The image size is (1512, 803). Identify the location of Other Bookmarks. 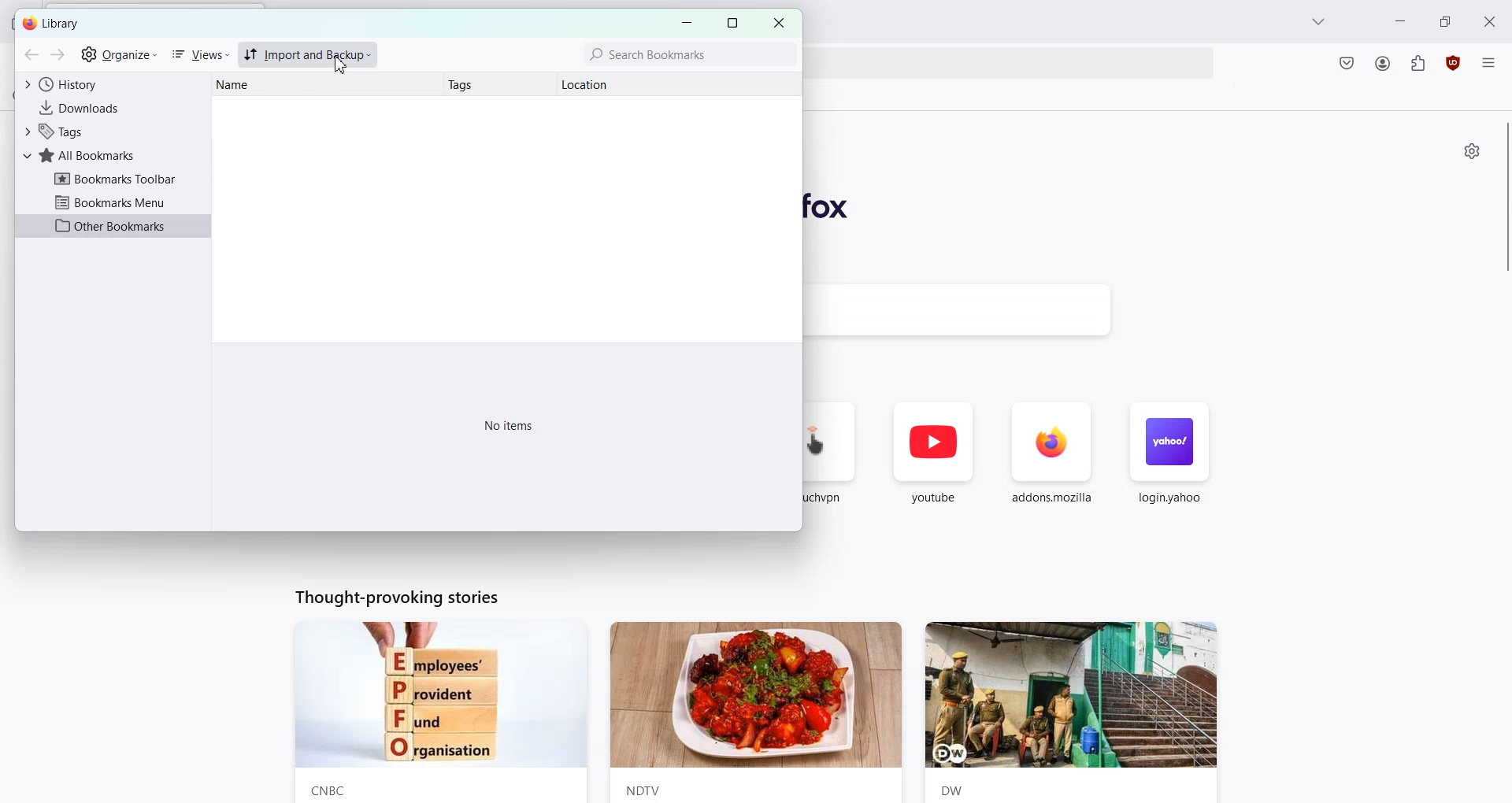
(116, 226).